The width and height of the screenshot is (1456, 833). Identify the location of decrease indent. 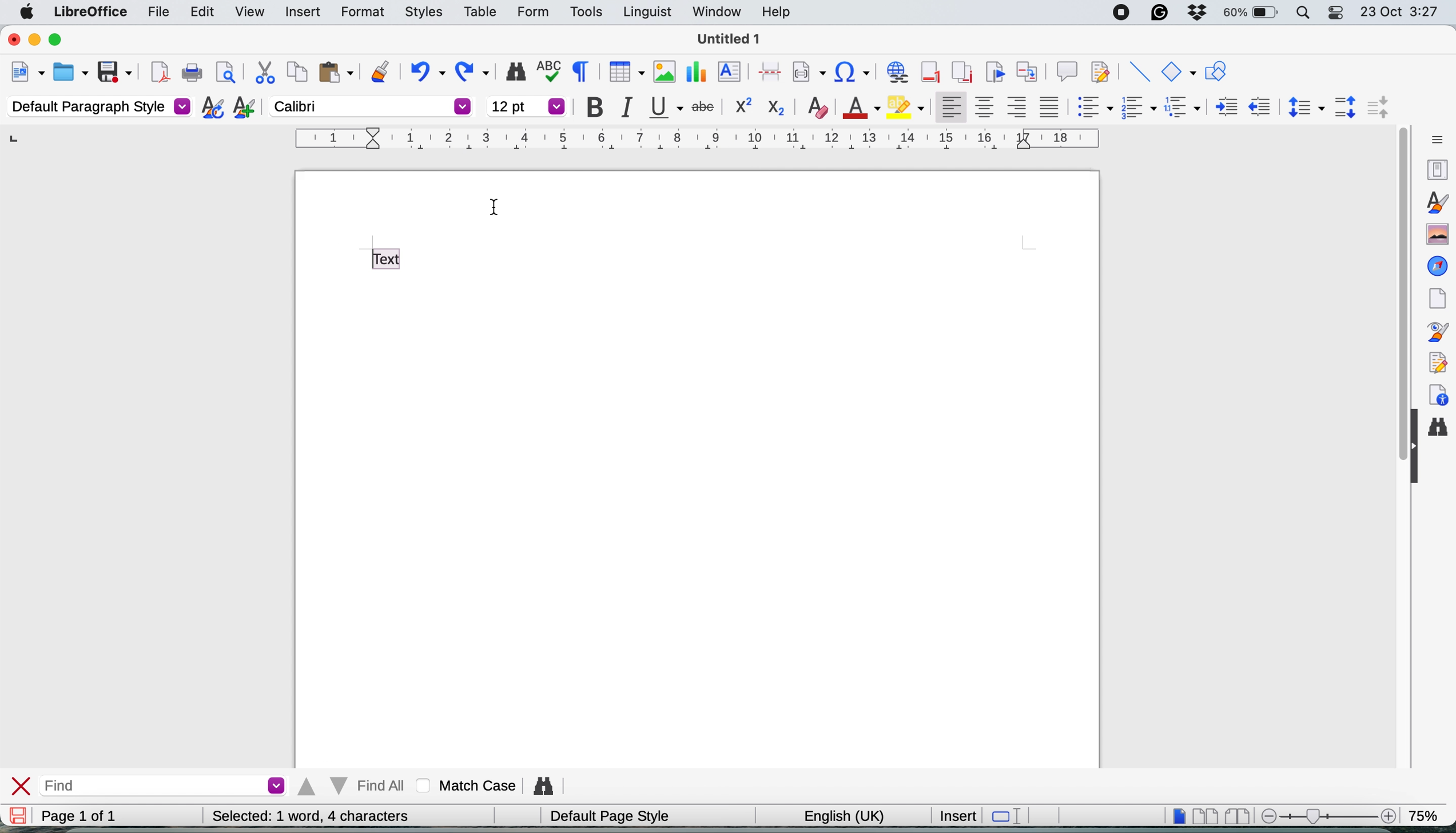
(1258, 107).